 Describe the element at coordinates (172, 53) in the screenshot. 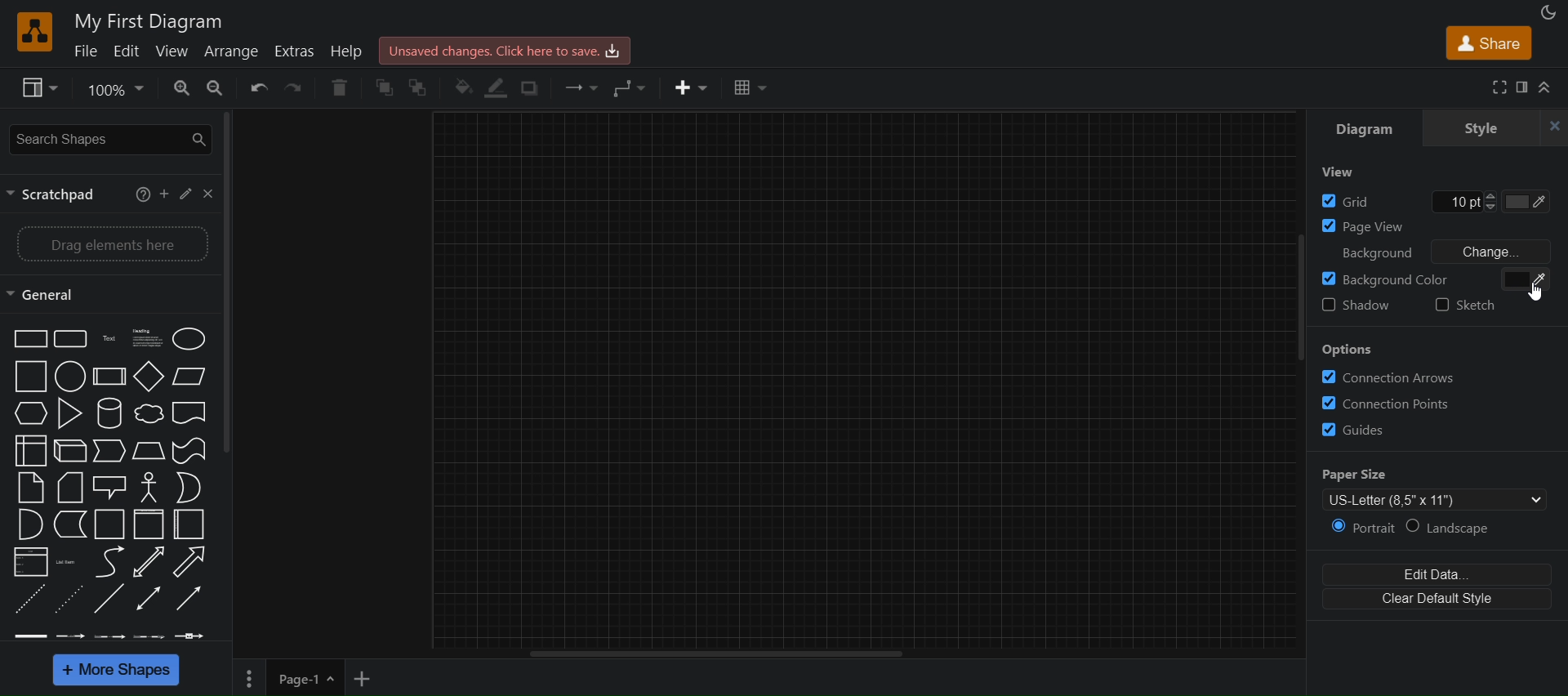

I see `view` at that location.